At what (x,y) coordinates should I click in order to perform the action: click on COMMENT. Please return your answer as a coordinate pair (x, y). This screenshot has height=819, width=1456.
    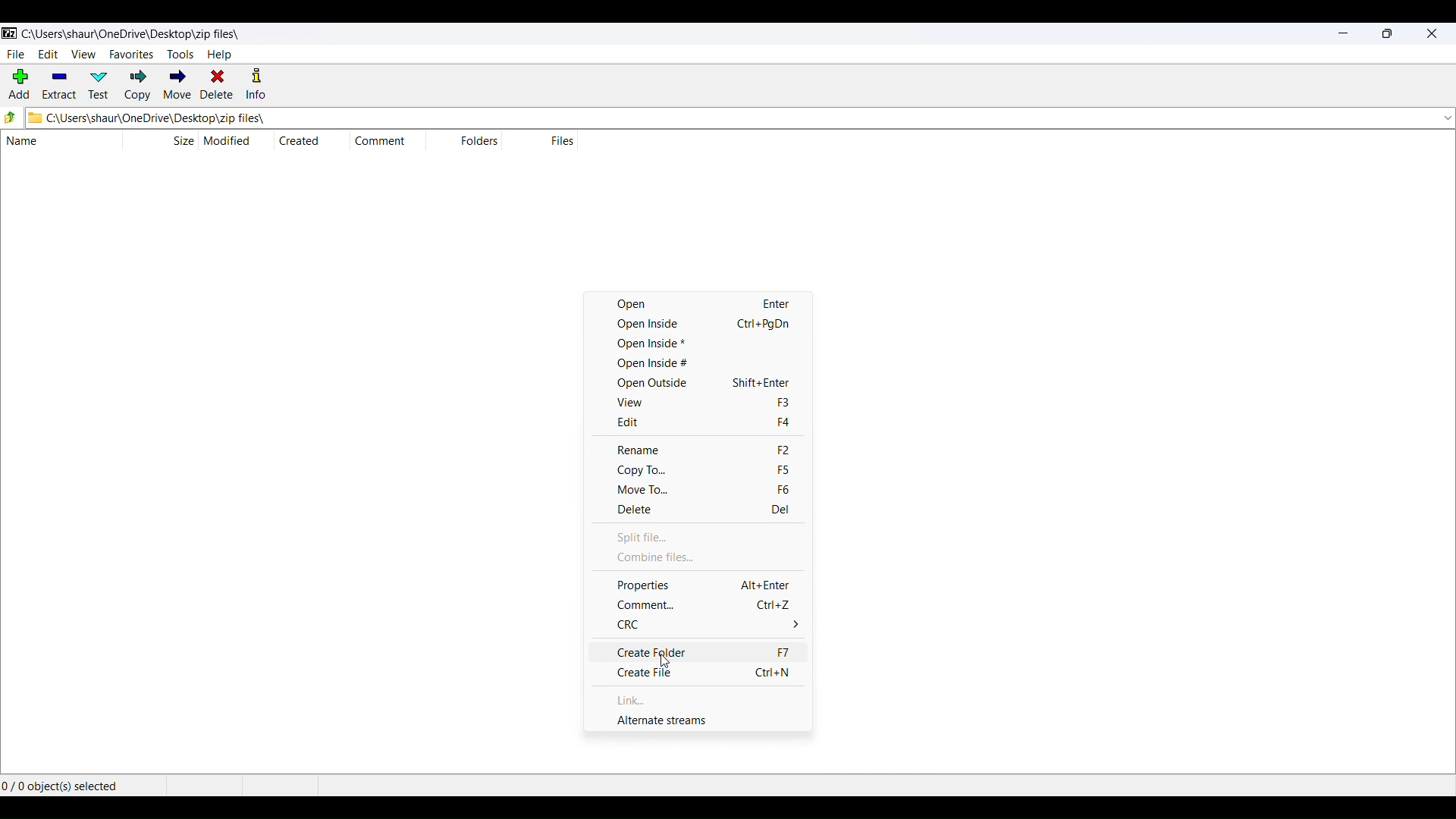
    Looking at the image, I should click on (385, 141).